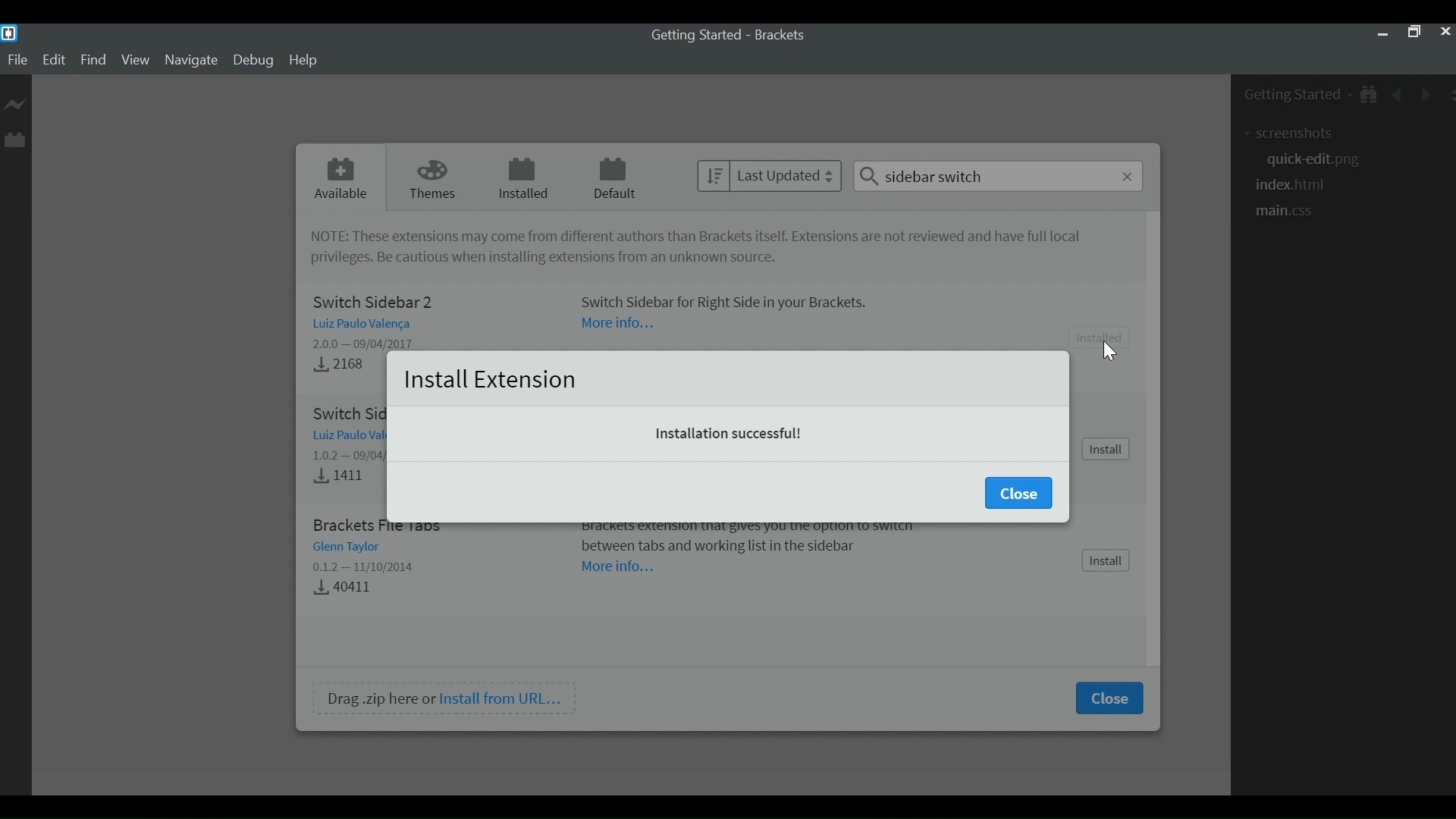 The height and width of the screenshot is (819, 1456). I want to click on more Information, so click(616, 568).